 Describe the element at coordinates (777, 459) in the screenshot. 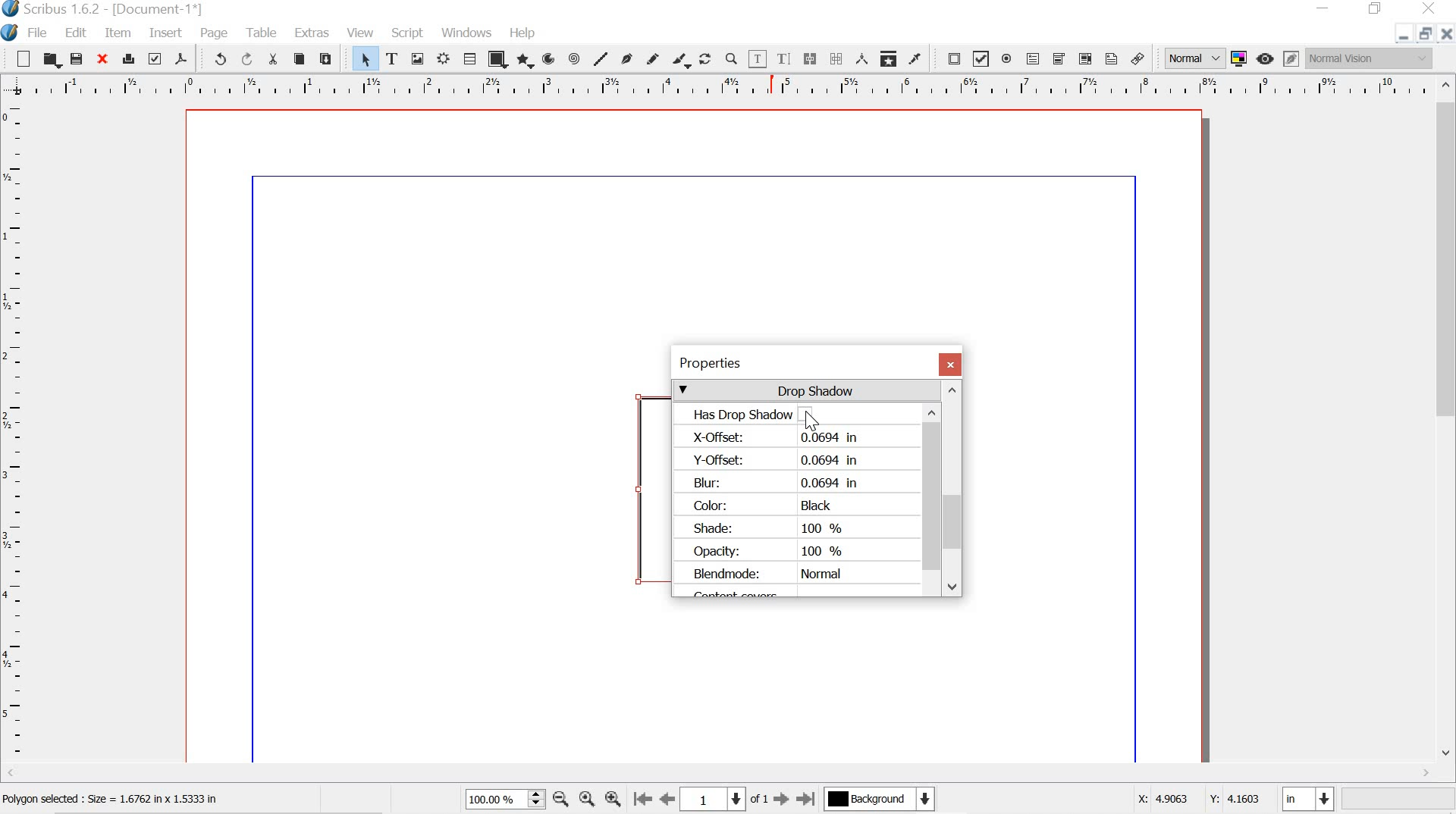

I see `Y-Offset: 0.0694 in` at that location.